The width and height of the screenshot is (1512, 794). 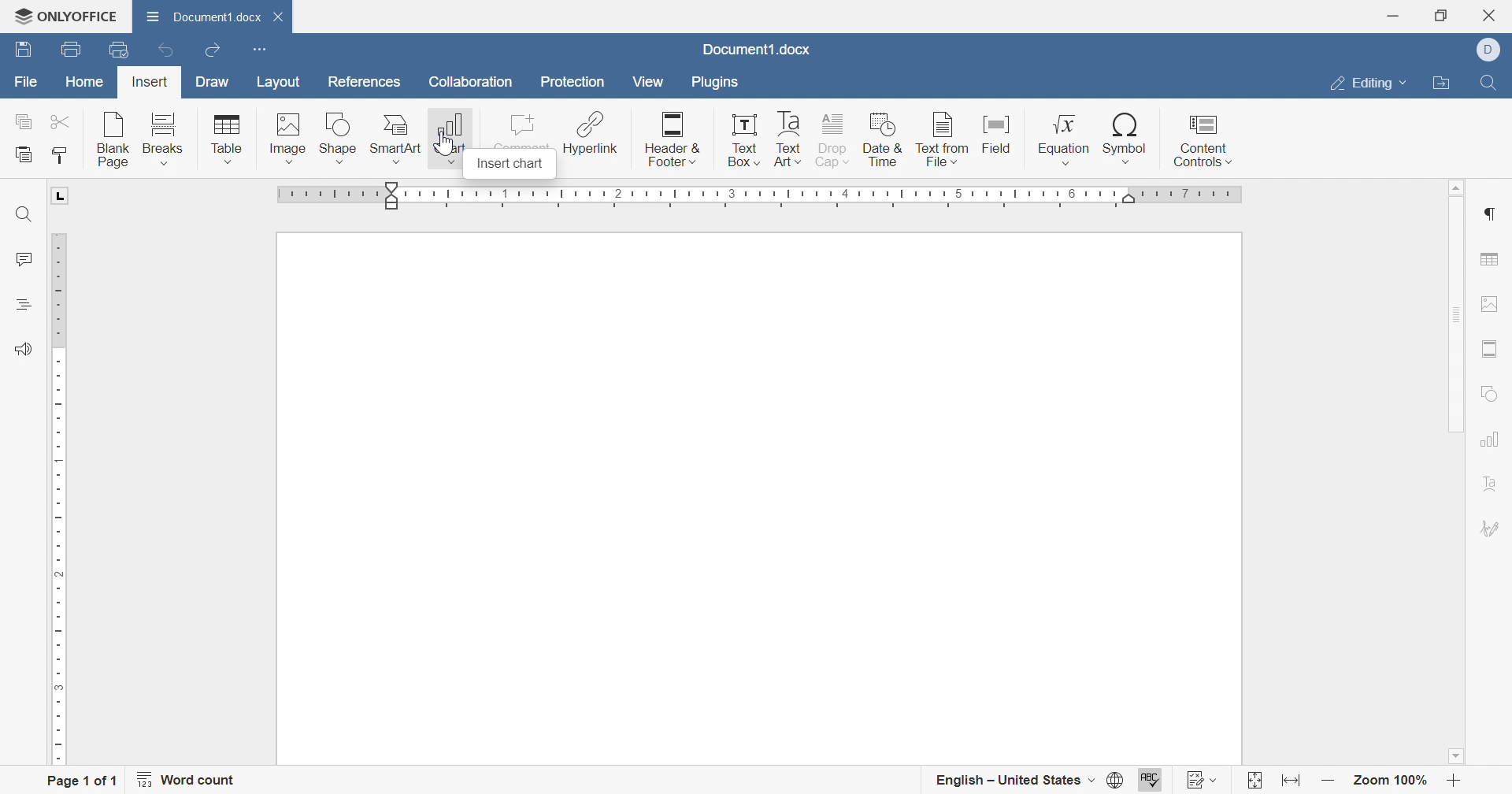 What do you see at coordinates (939, 136) in the screenshot?
I see `Text from File` at bounding box center [939, 136].